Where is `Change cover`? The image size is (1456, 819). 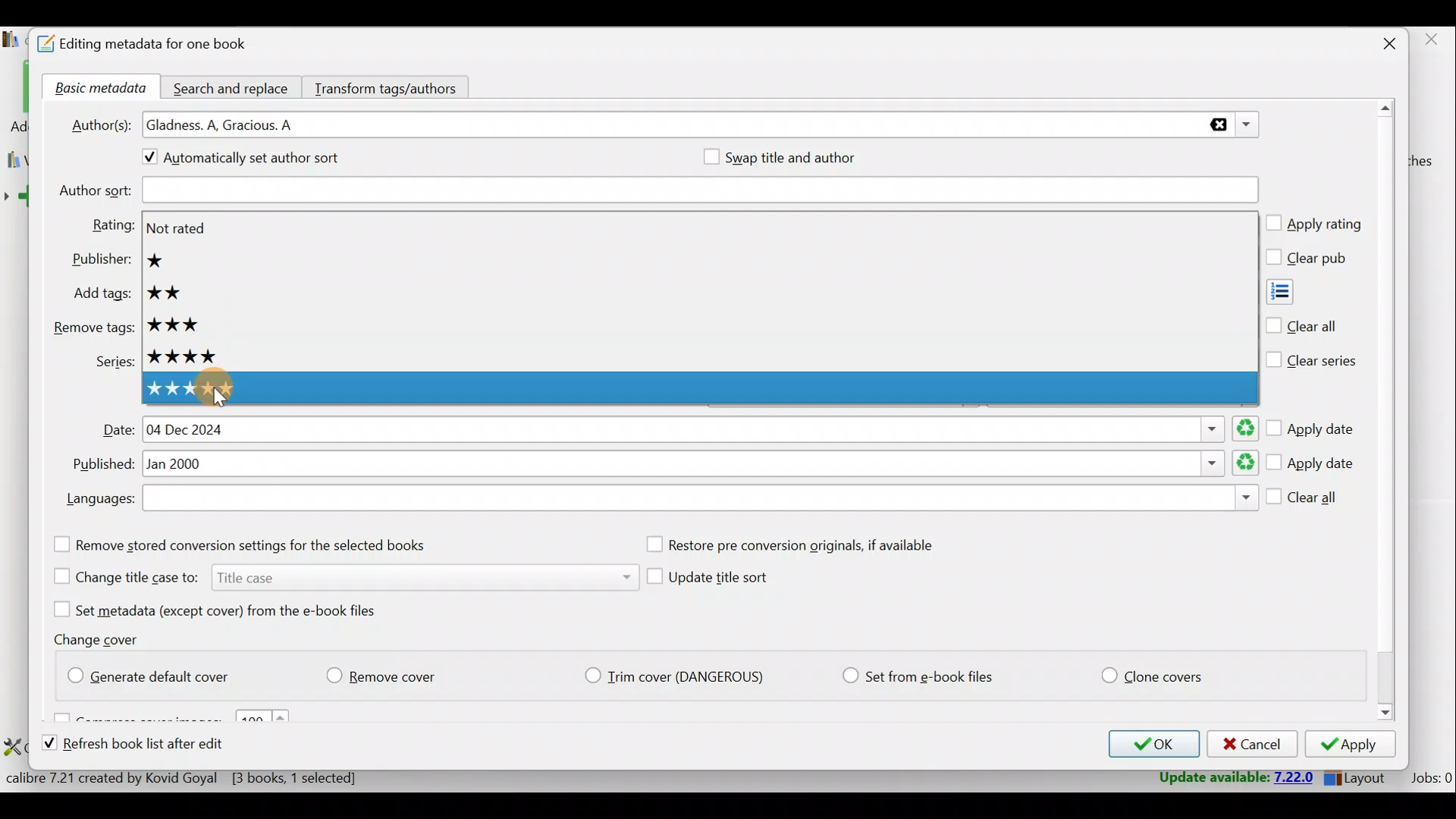 Change cover is located at coordinates (102, 639).